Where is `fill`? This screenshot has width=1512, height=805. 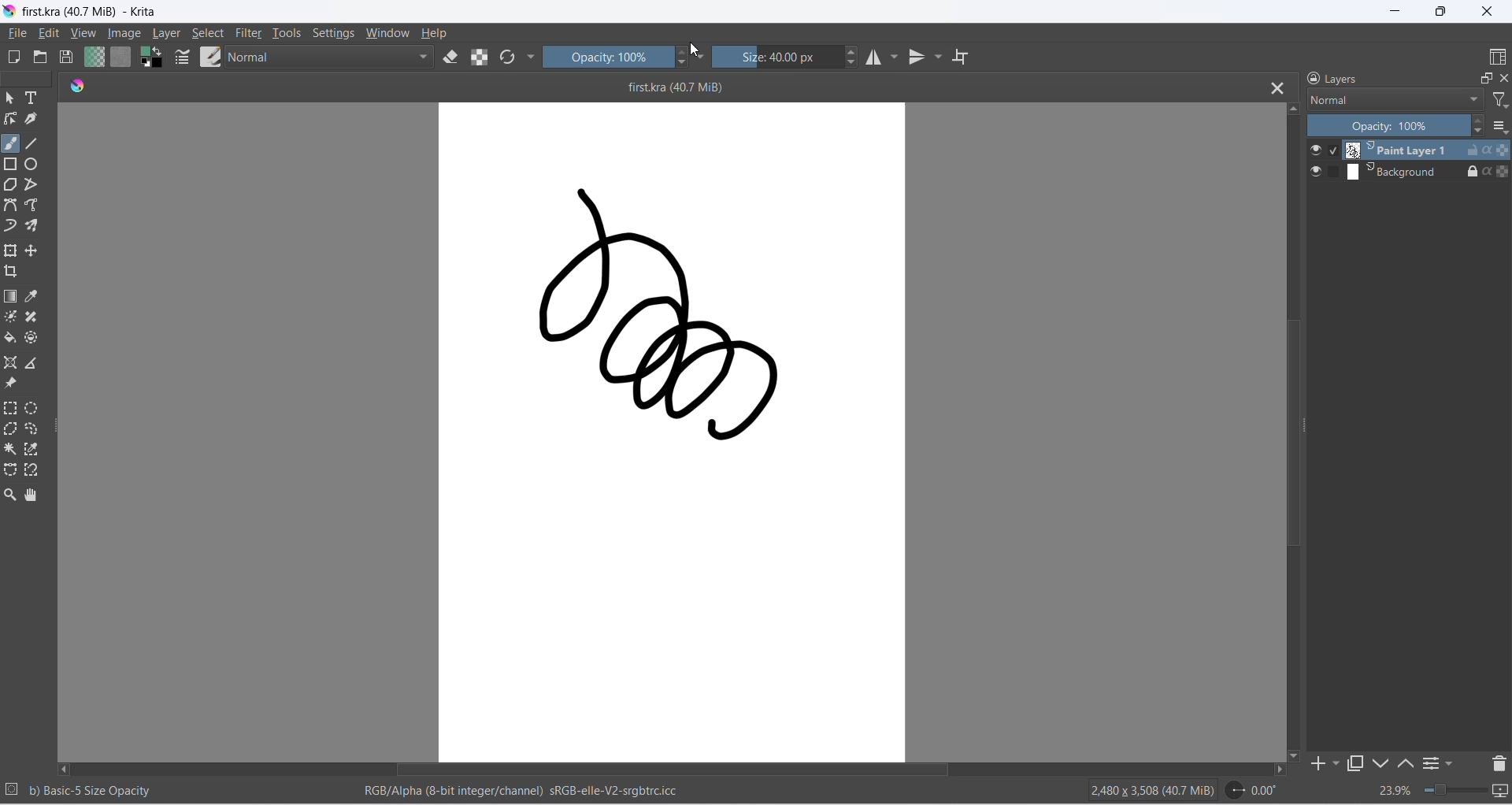
fill is located at coordinates (10, 338).